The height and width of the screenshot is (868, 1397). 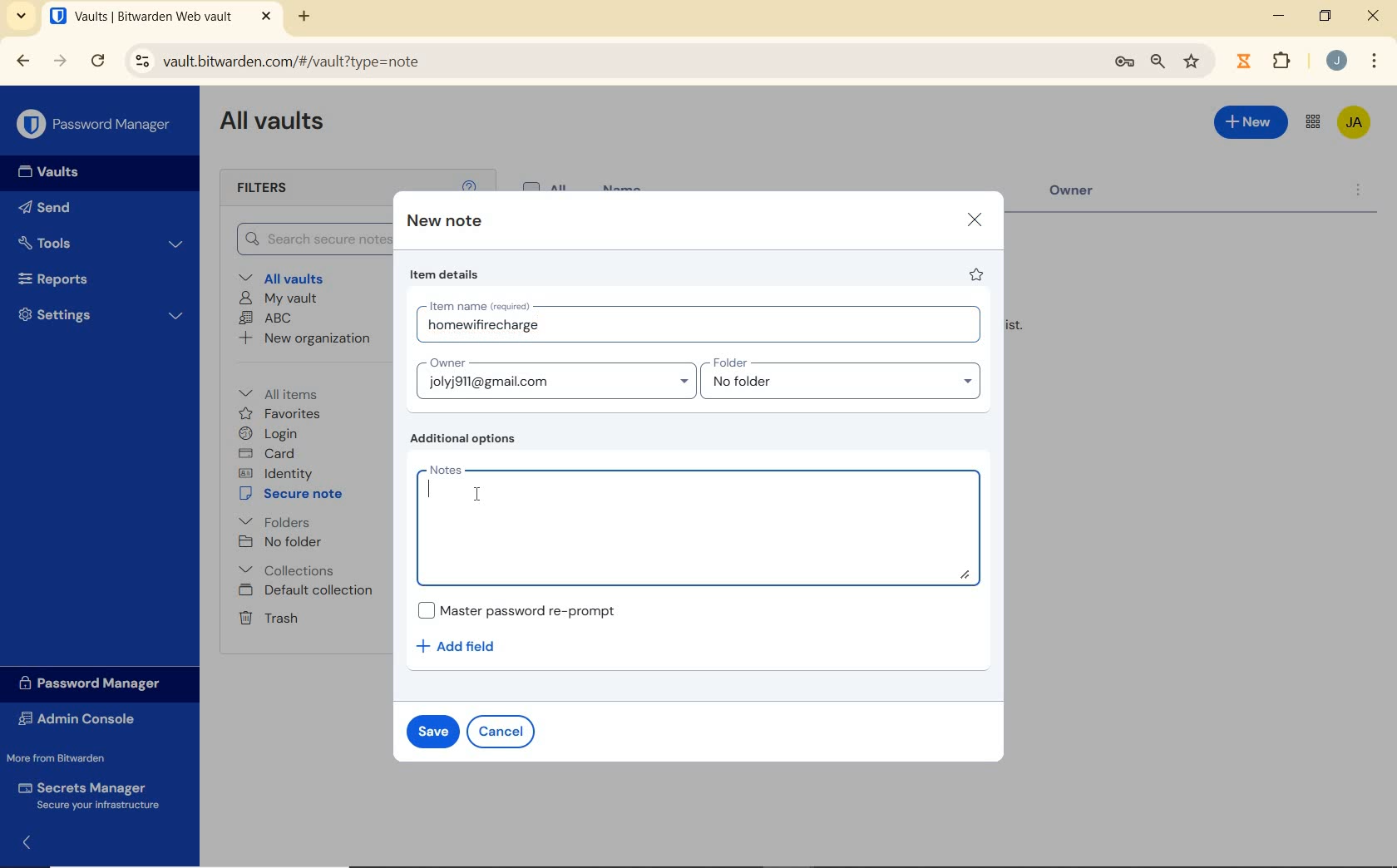 I want to click on Send, so click(x=50, y=206).